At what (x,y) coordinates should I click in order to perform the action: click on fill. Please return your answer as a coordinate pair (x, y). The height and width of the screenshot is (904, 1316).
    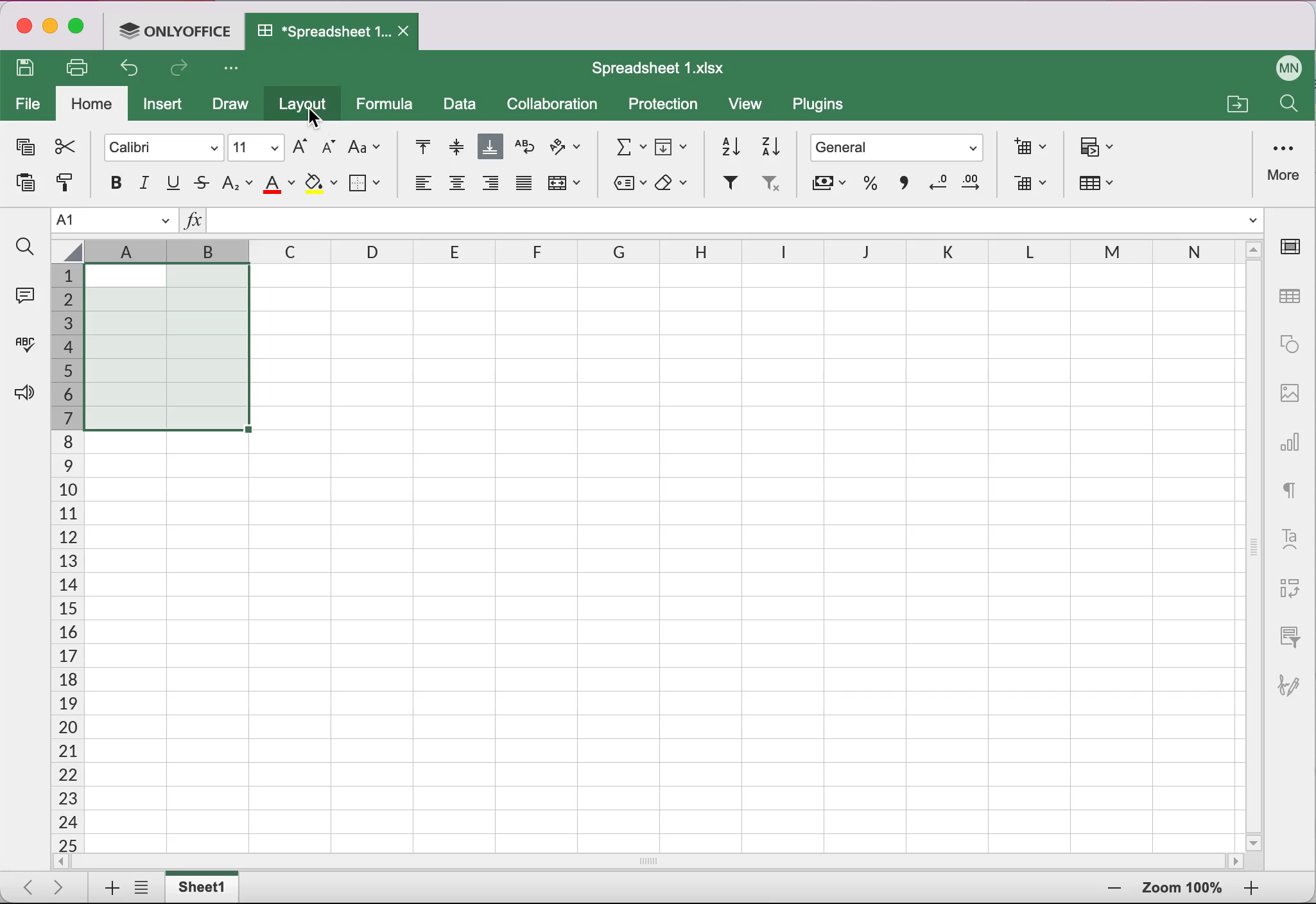
    Looking at the image, I should click on (673, 144).